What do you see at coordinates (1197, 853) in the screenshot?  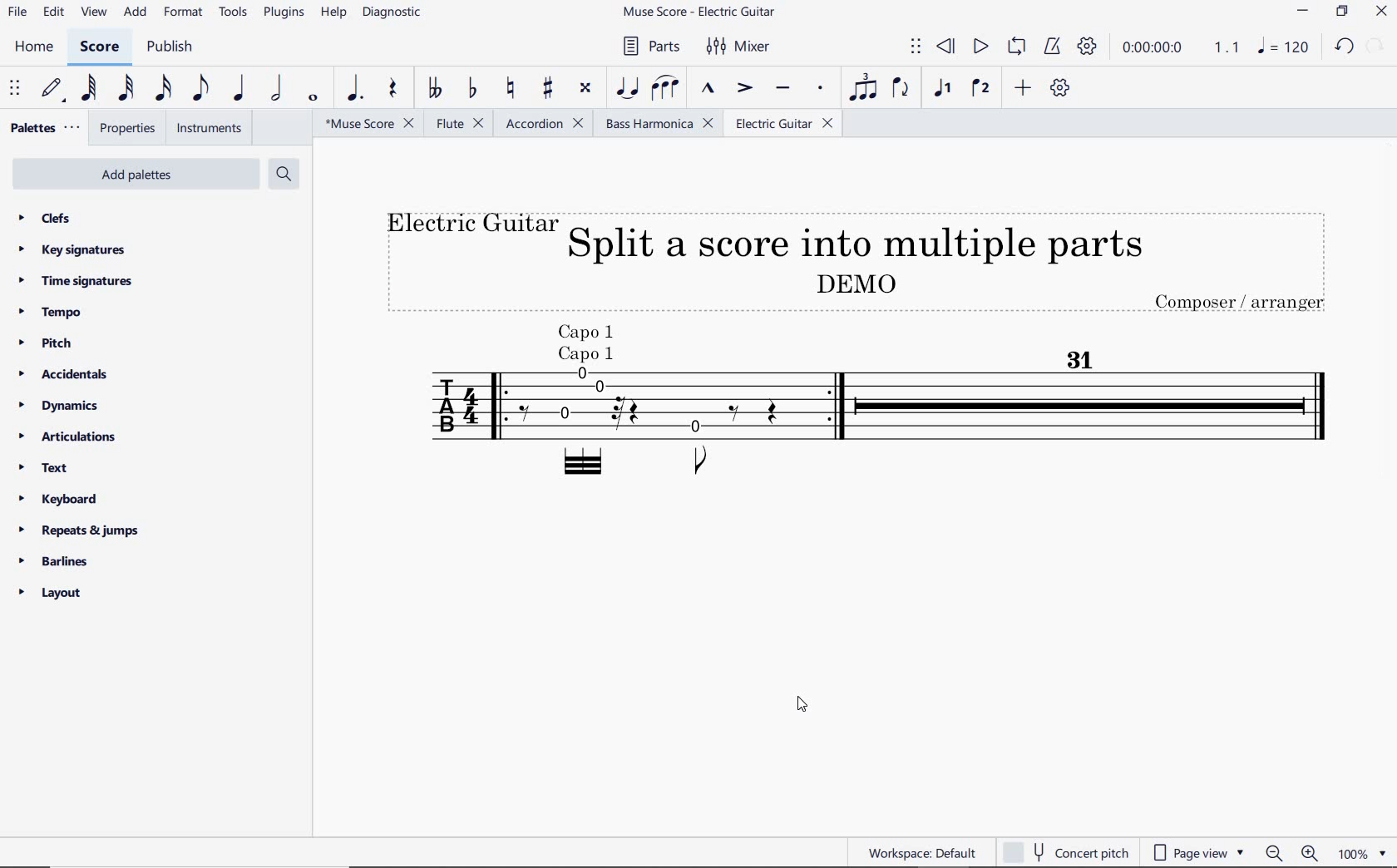 I see `page view` at bounding box center [1197, 853].